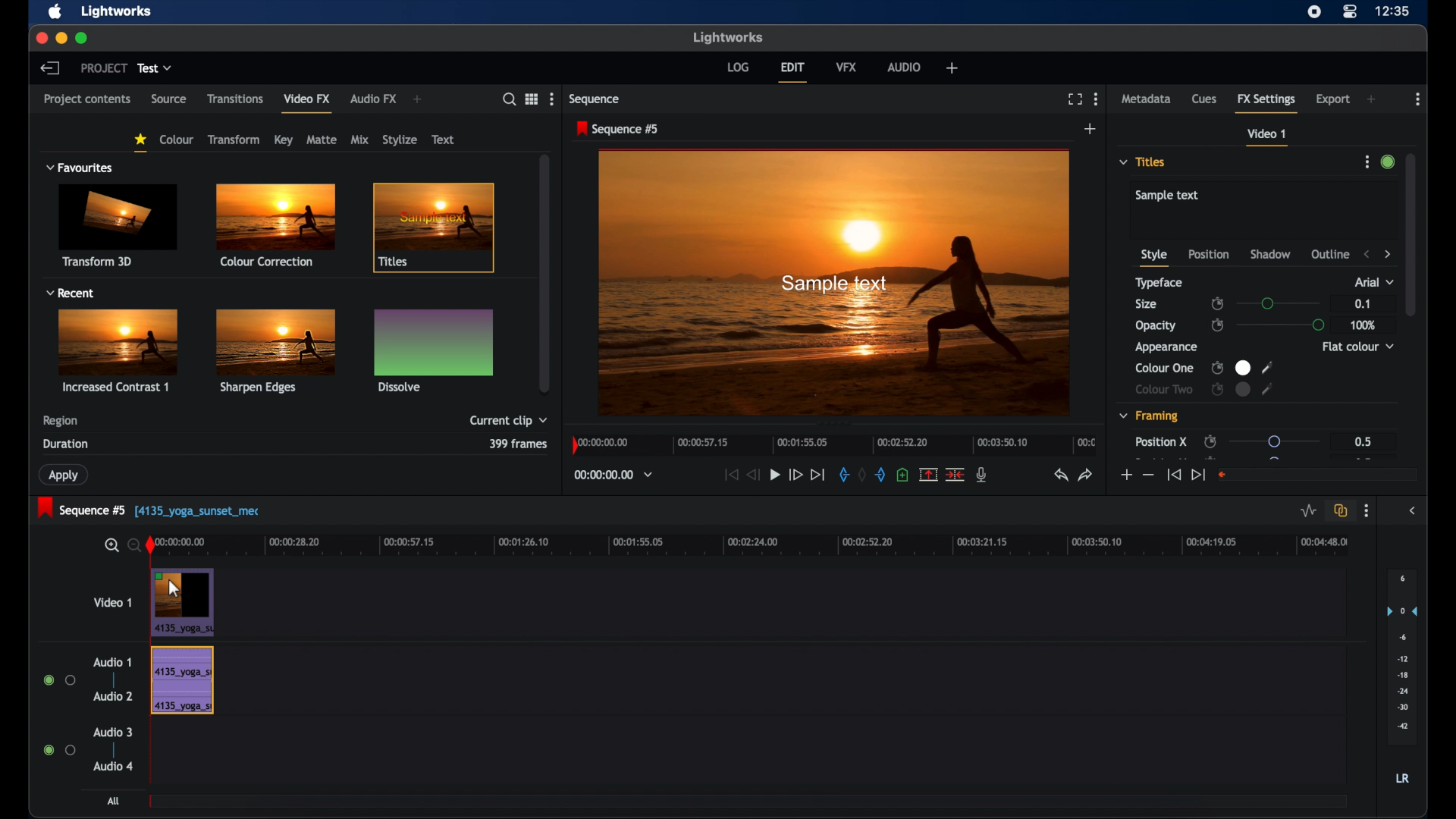 The width and height of the screenshot is (1456, 819). I want to click on [[4135_yoga_sunset_mec, so click(202, 510).